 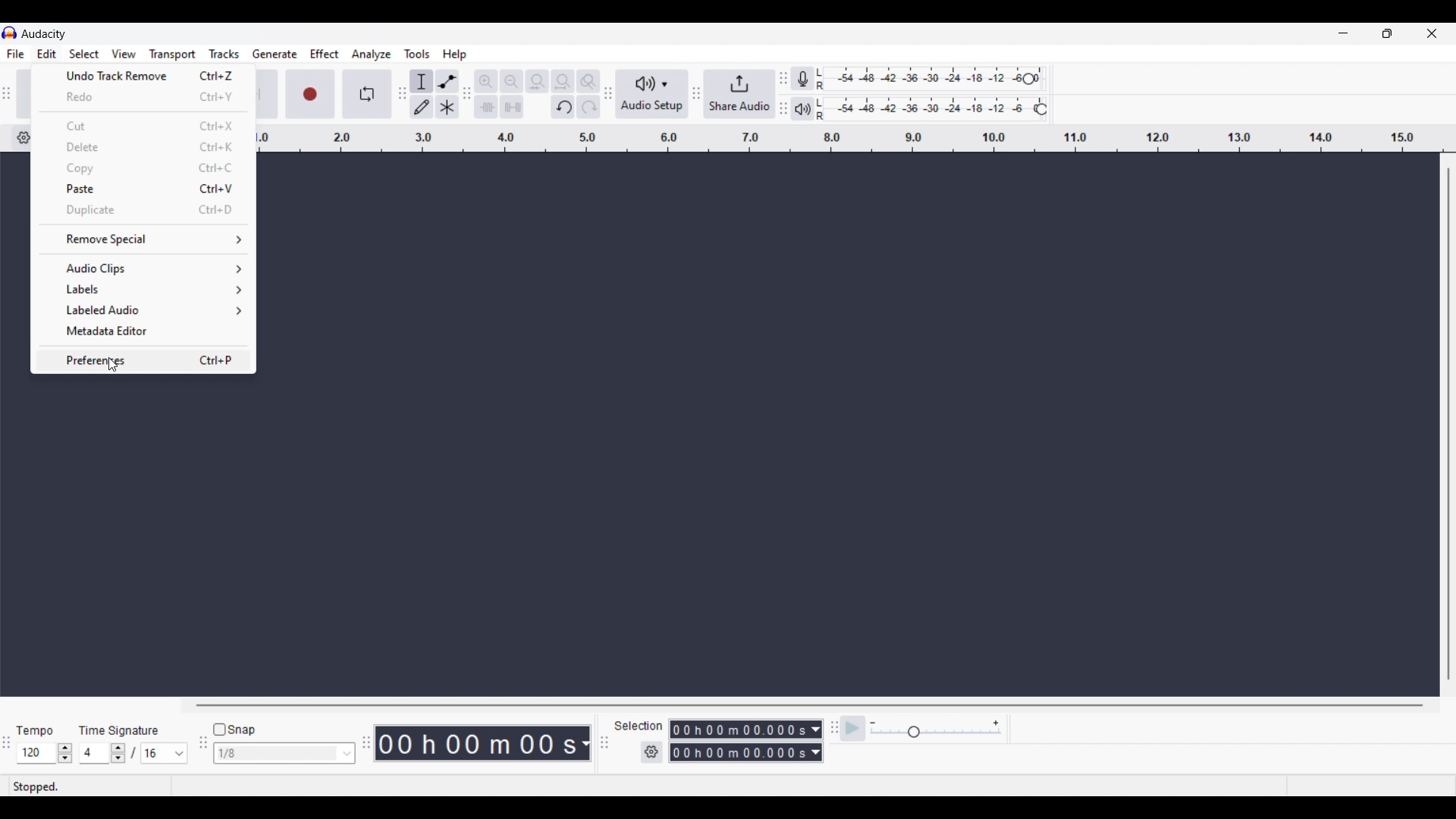 I want to click on Decrease playback speed to minimum, so click(x=873, y=723).